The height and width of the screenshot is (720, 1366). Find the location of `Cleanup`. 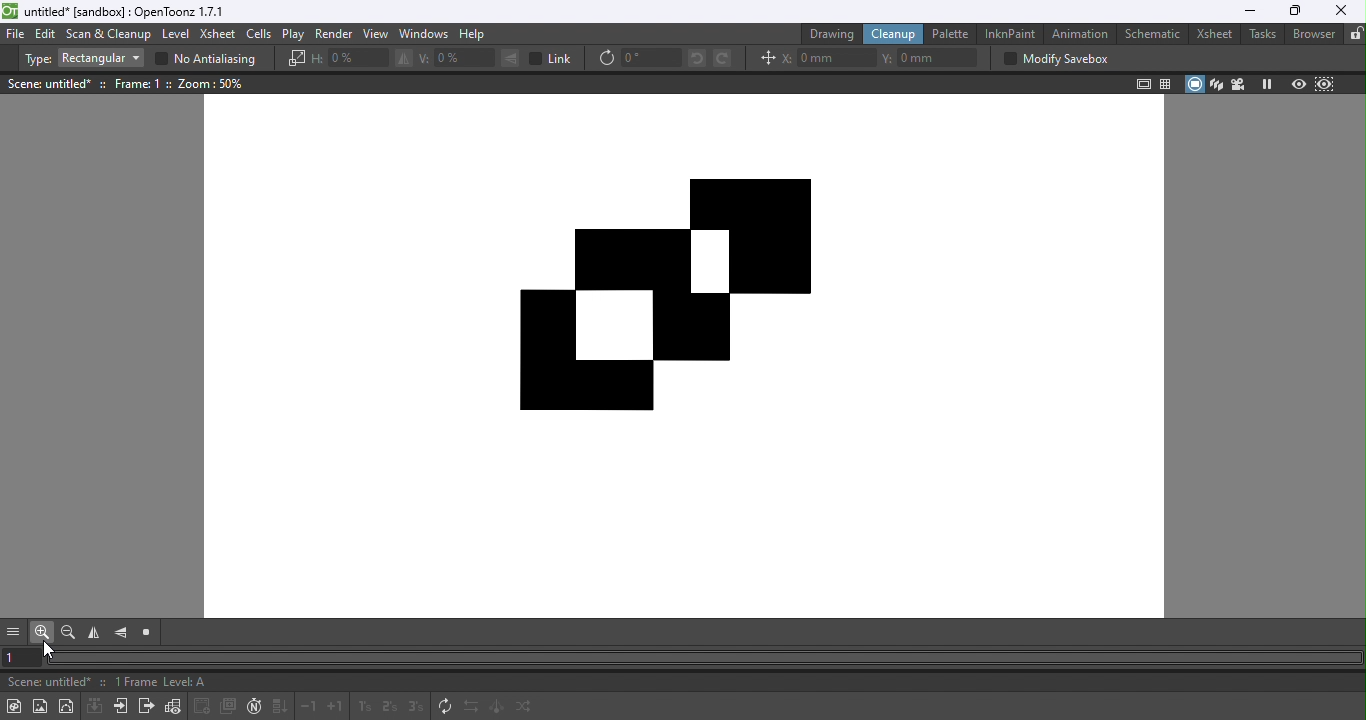

Cleanup is located at coordinates (891, 35).